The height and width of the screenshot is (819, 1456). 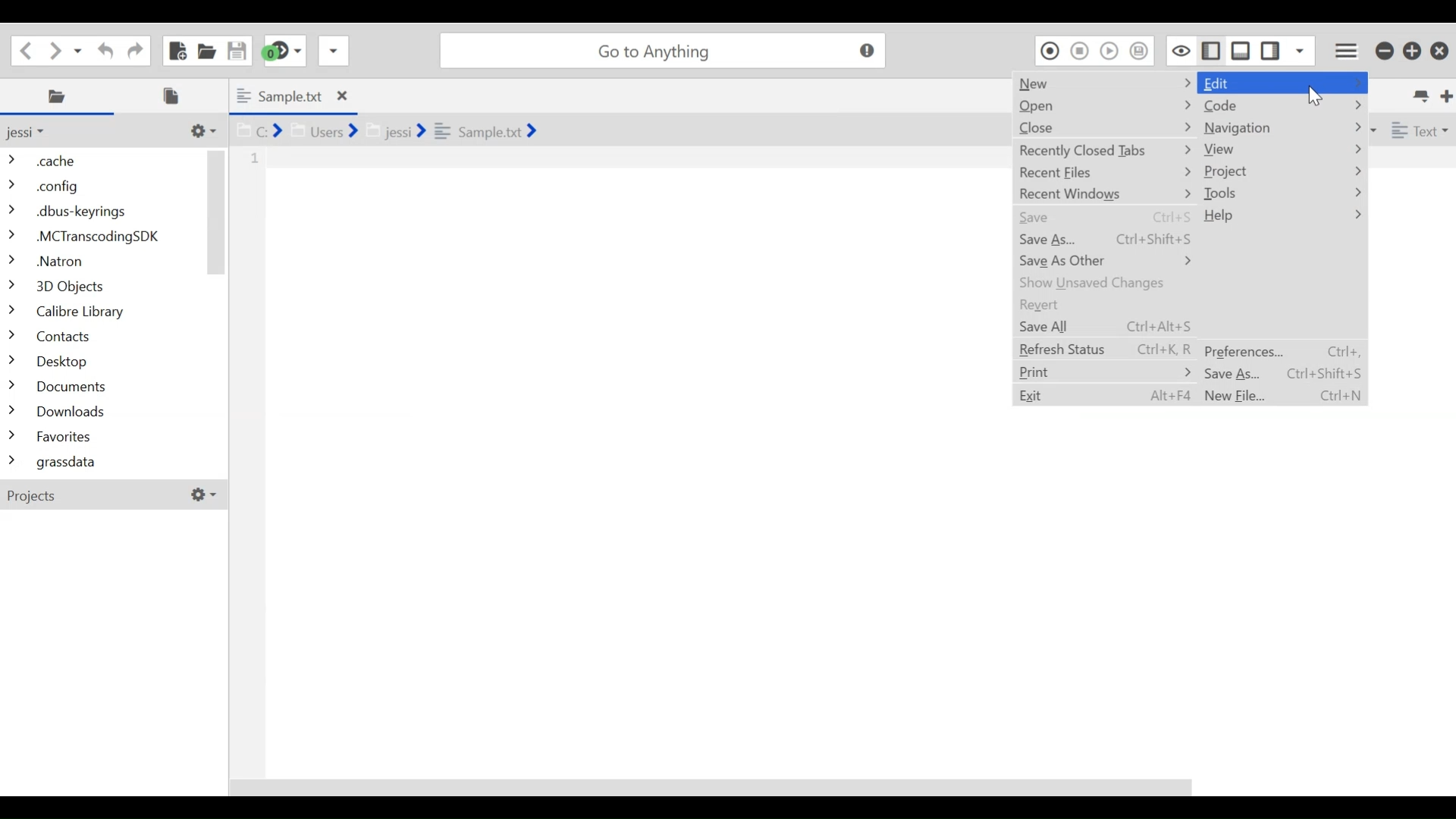 What do you see at coordinates (102, 313) in the screenshot?
I see `Folders` at bounding box center [102, 313].